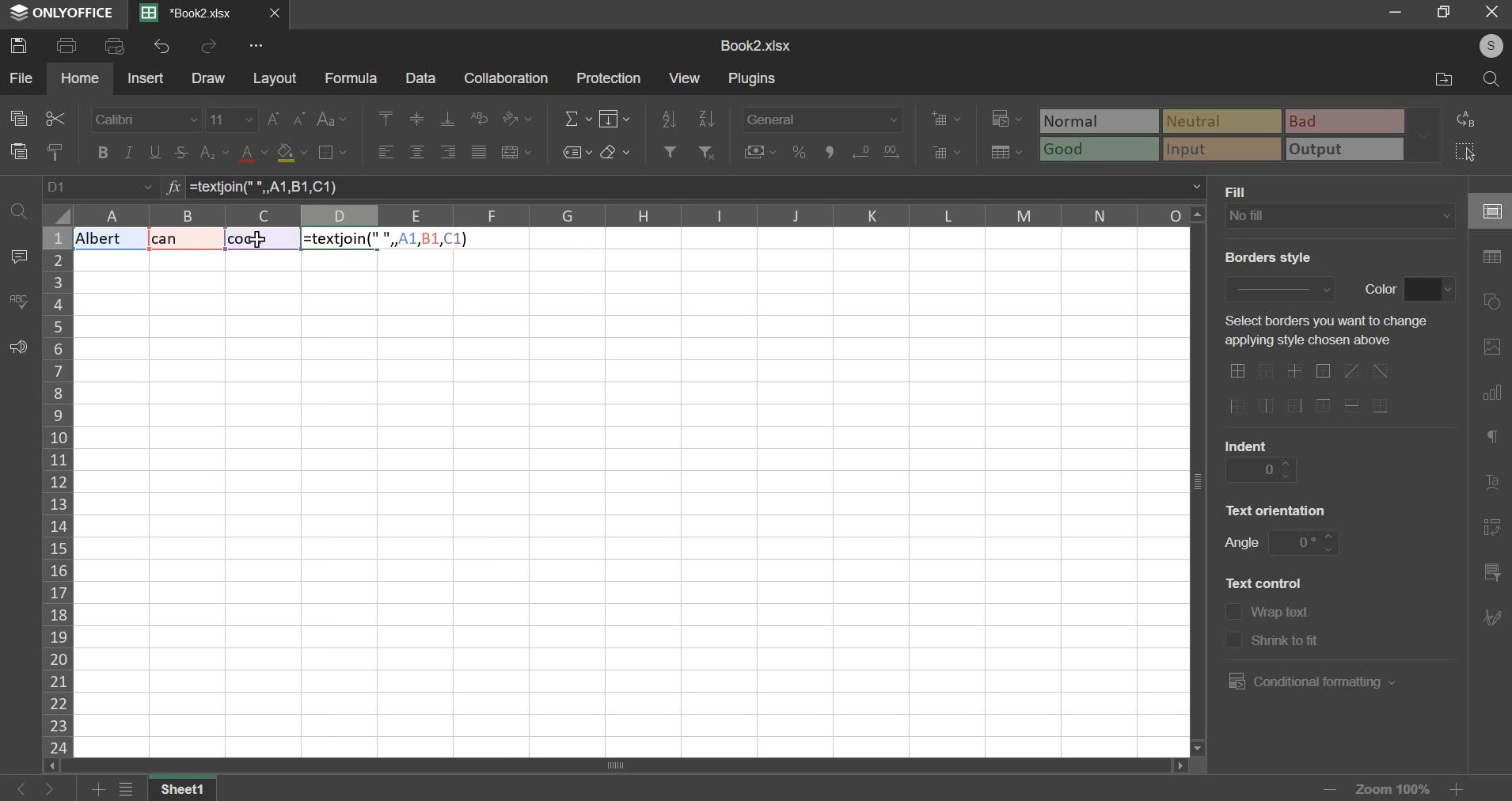  What do you see at coordinates (946, 118) in the screenshot?
I see `add cells` at bounding box center [946, 118].